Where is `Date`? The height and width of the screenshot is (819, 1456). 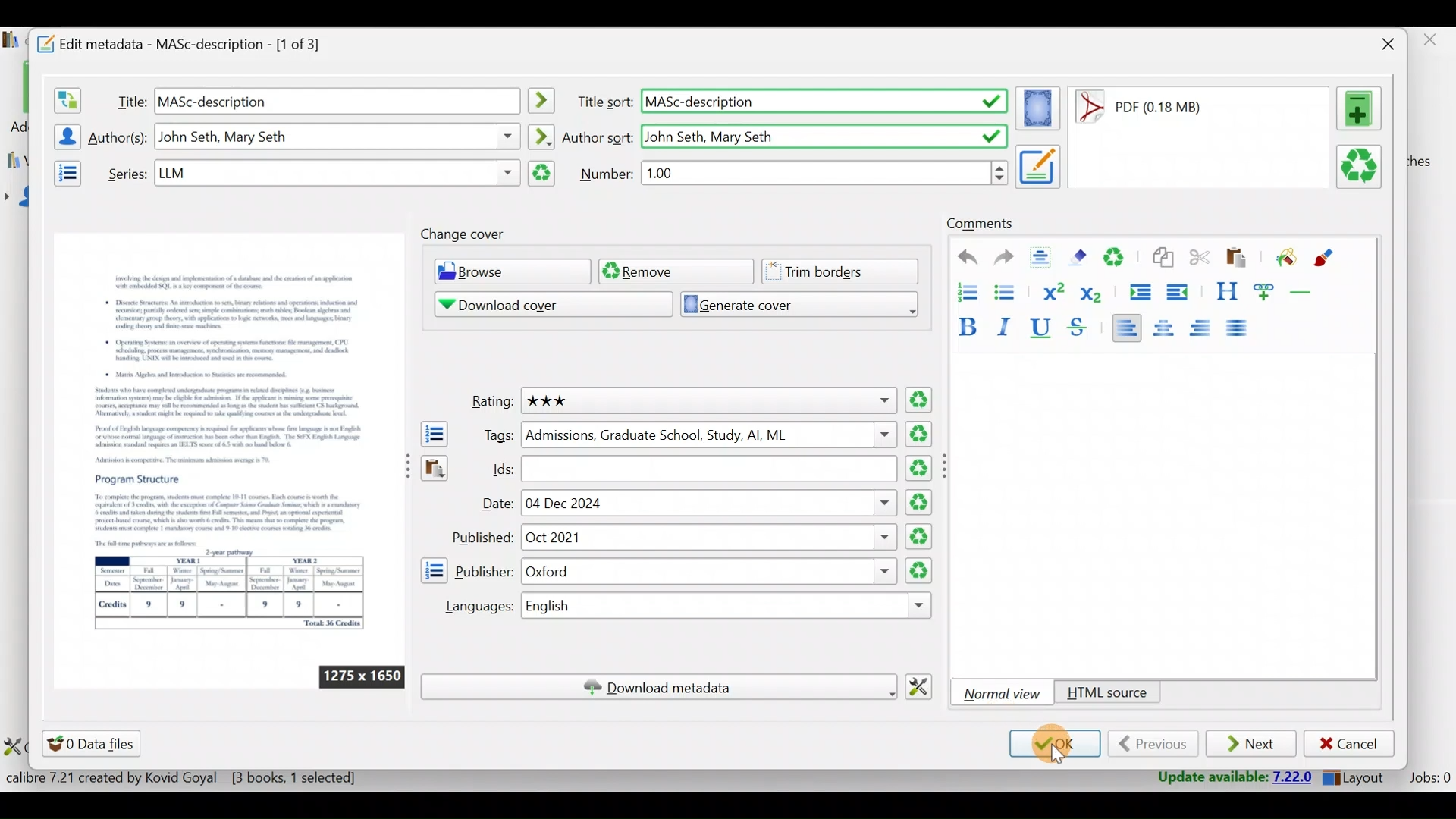 Date is located at coordinates (495, 505).